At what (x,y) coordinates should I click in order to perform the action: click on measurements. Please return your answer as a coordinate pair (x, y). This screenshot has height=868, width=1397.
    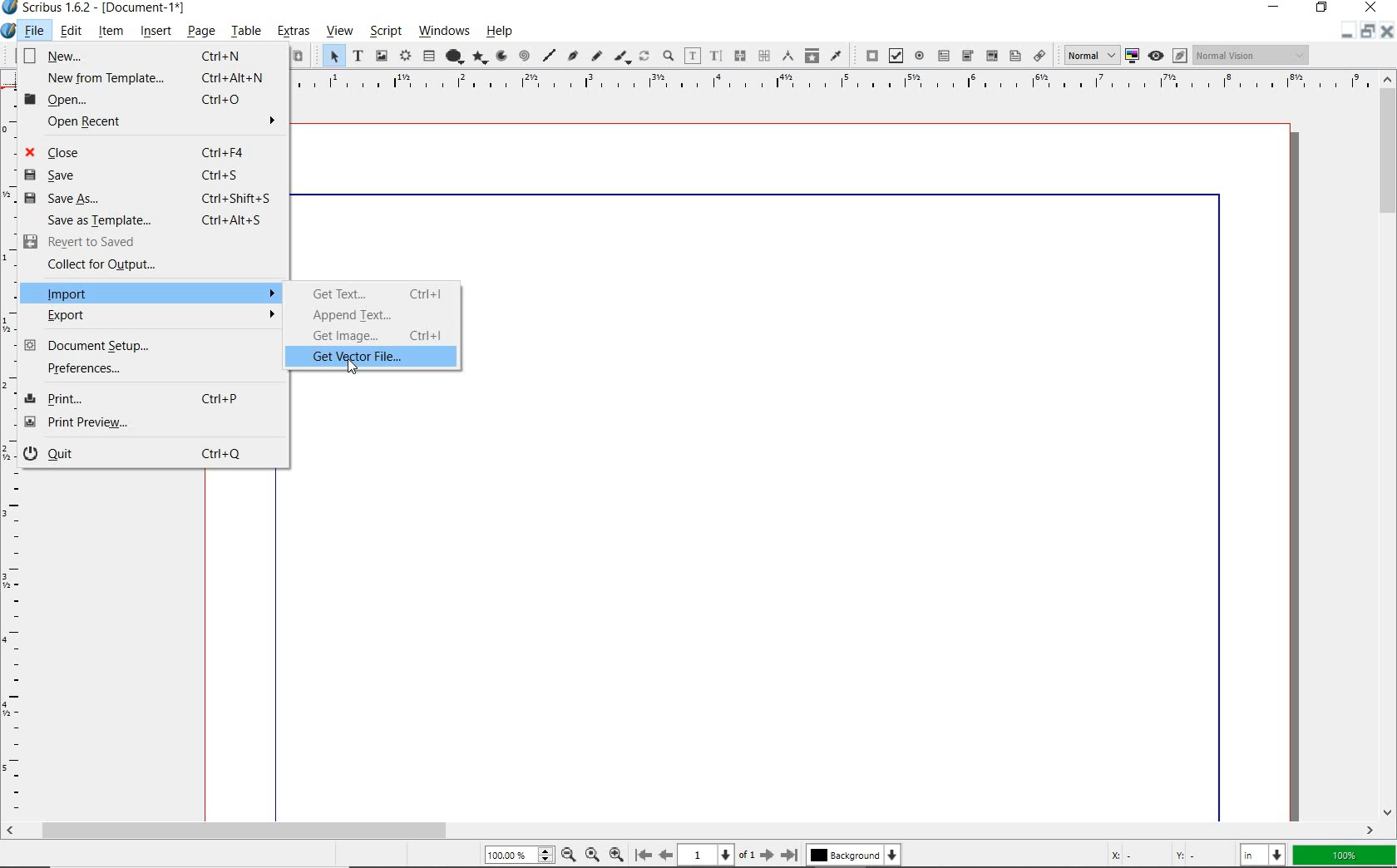
    Looking at the image, I should click on (789, 56).